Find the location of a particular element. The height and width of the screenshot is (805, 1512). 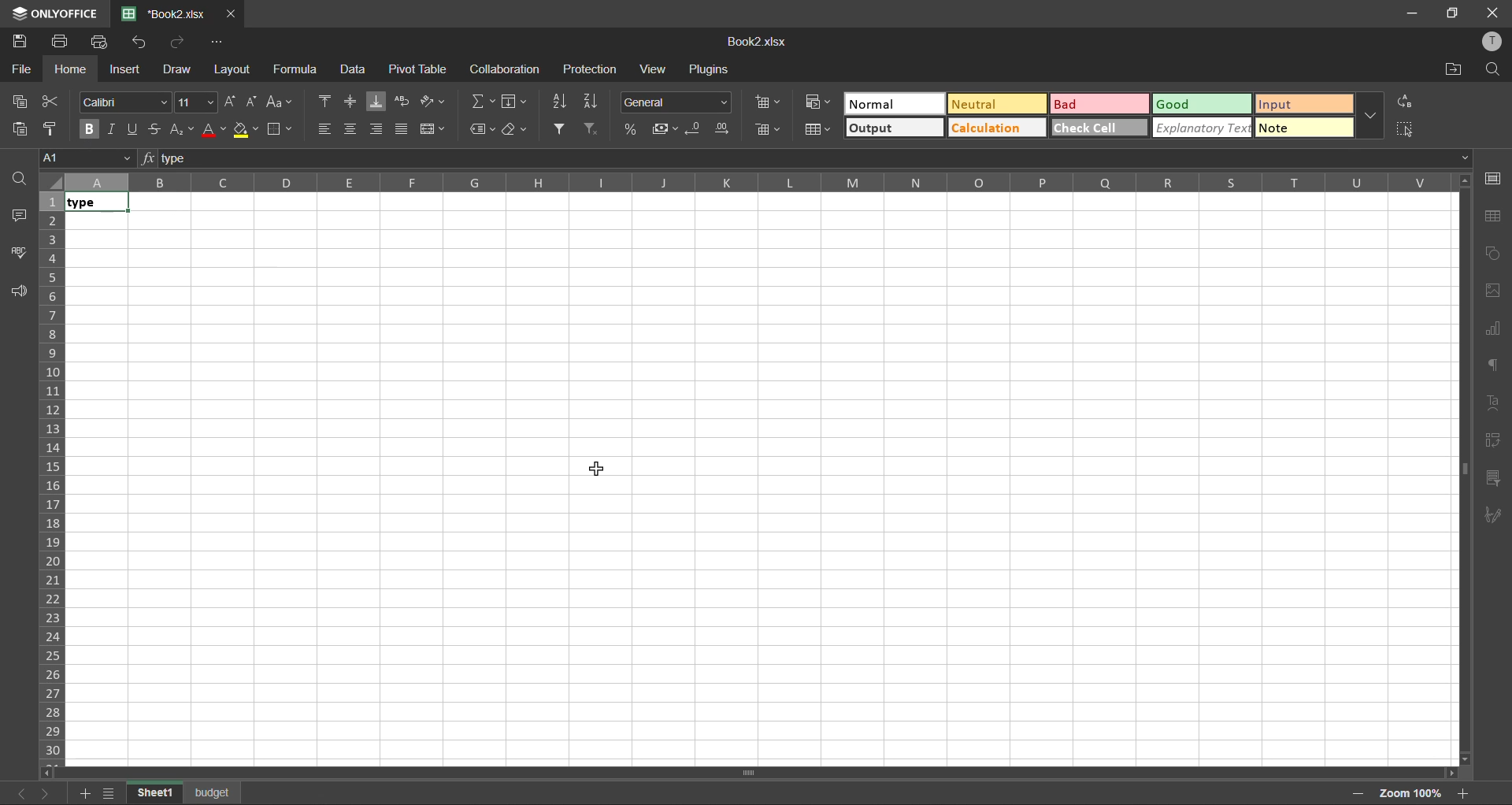

clear filter is located at coordinates (591, 130).